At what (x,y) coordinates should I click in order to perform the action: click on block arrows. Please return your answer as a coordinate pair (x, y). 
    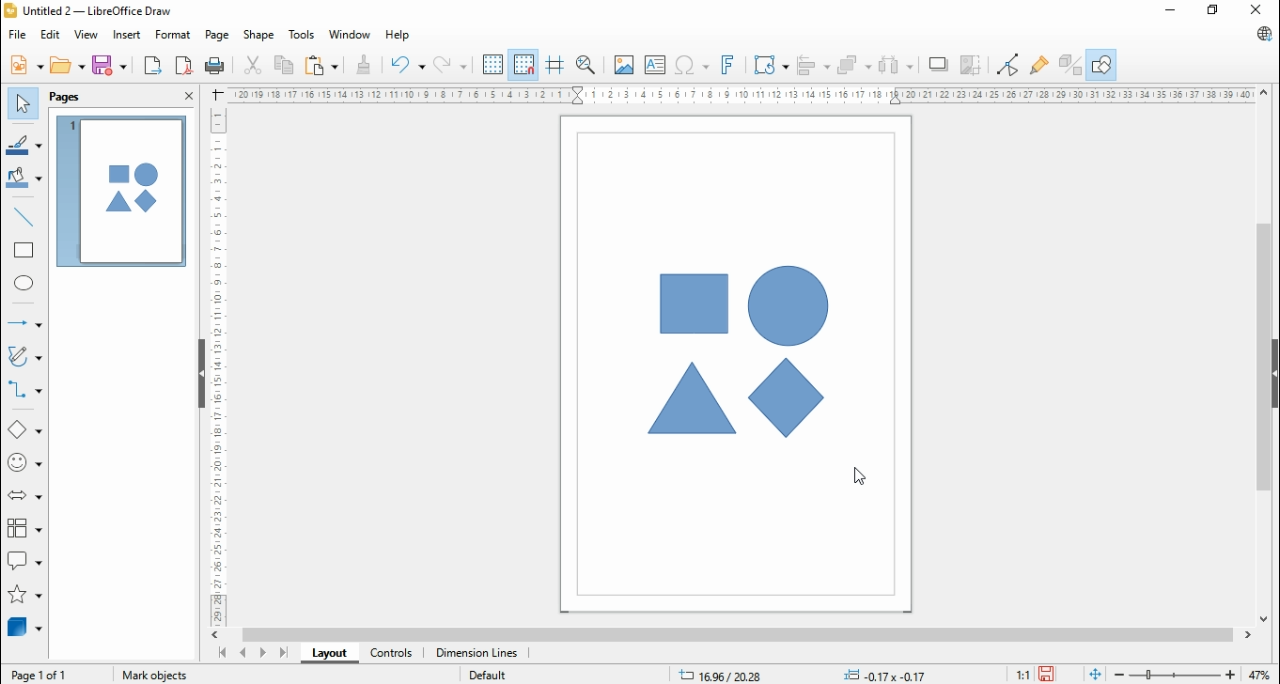
    Looking at the image, I should click on (25, 495).